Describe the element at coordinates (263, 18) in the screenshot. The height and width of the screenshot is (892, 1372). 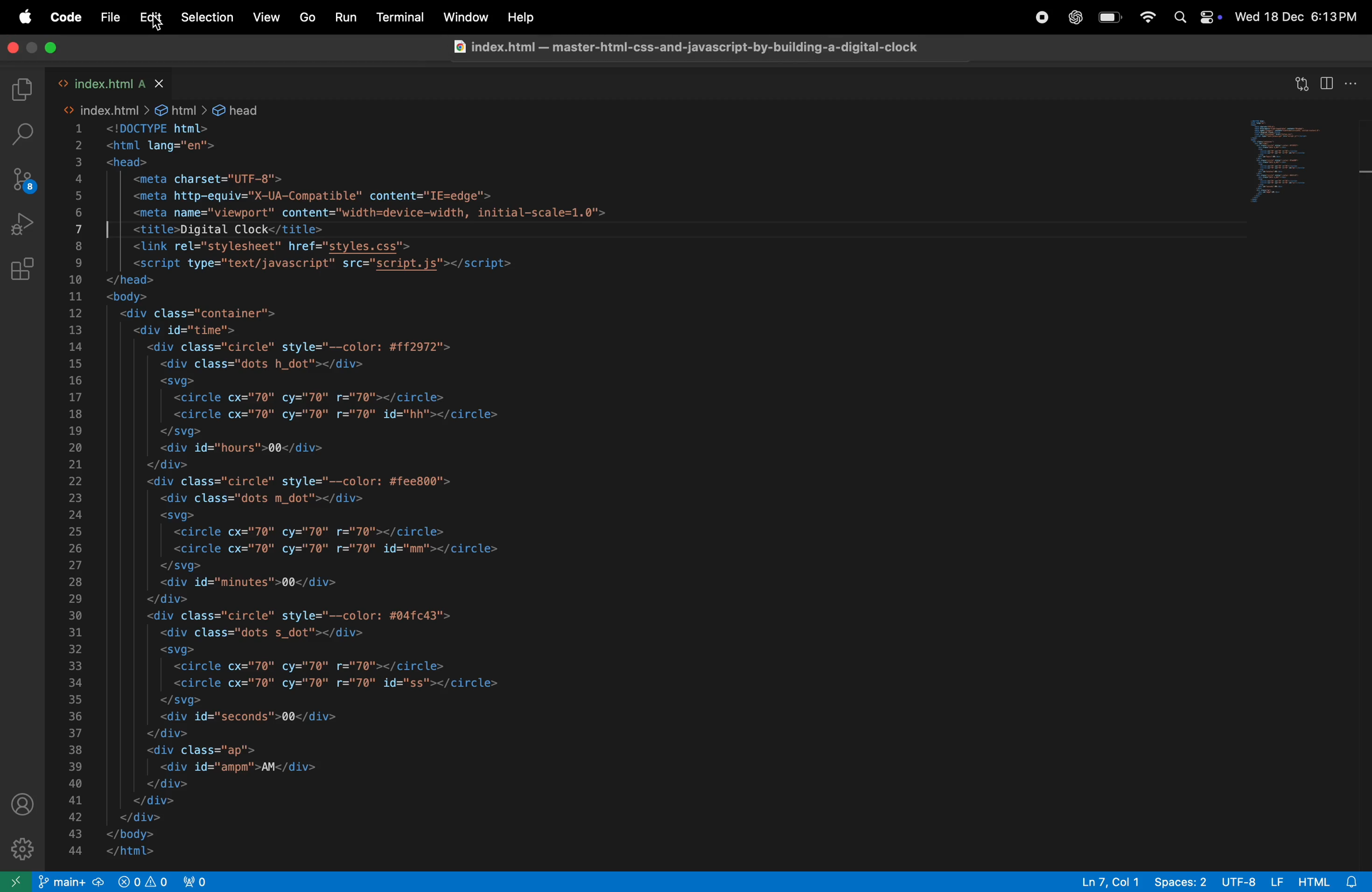
I see `view` at that location.